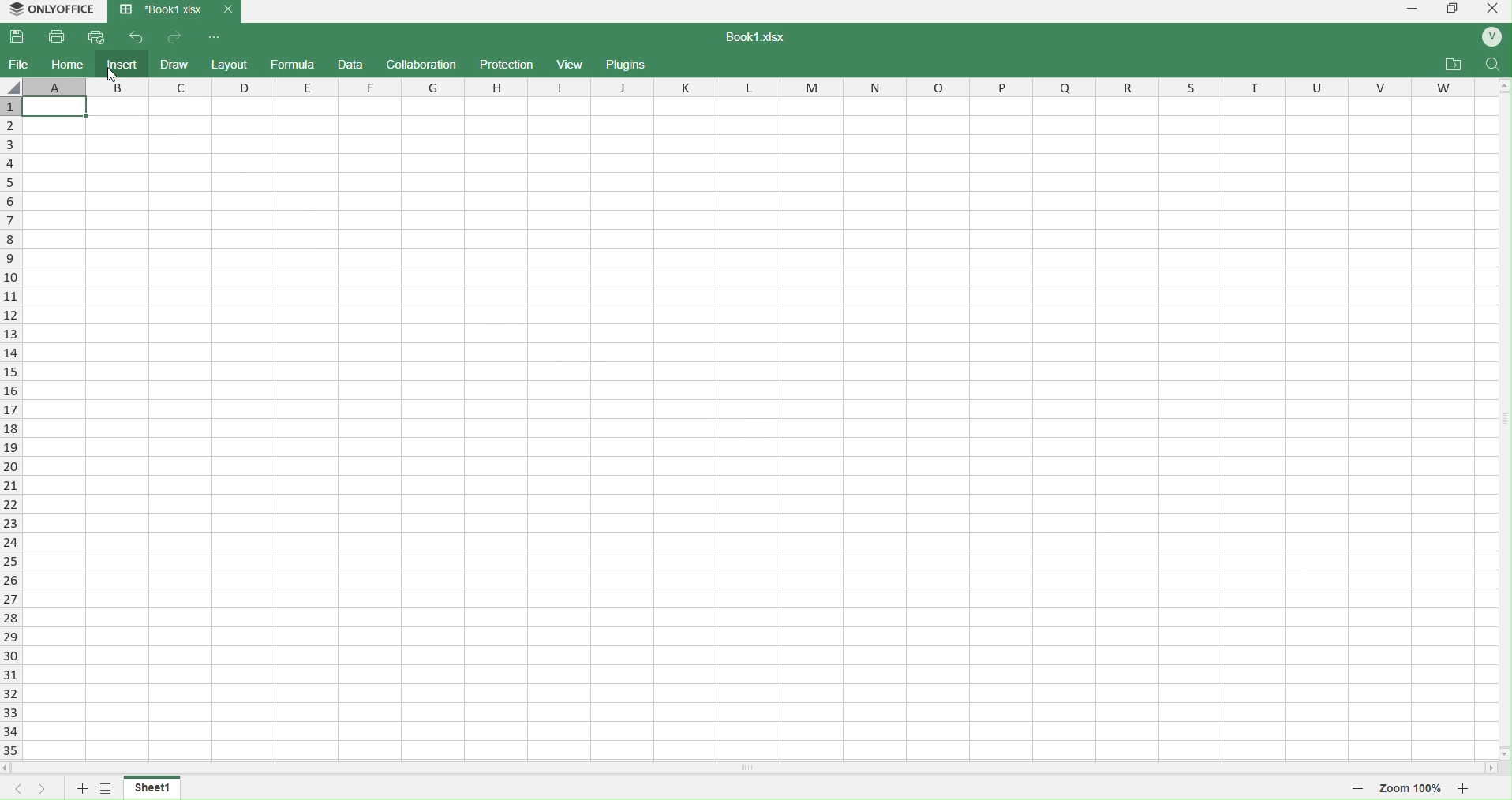  I want to click on collaboration, so click(424, 64).